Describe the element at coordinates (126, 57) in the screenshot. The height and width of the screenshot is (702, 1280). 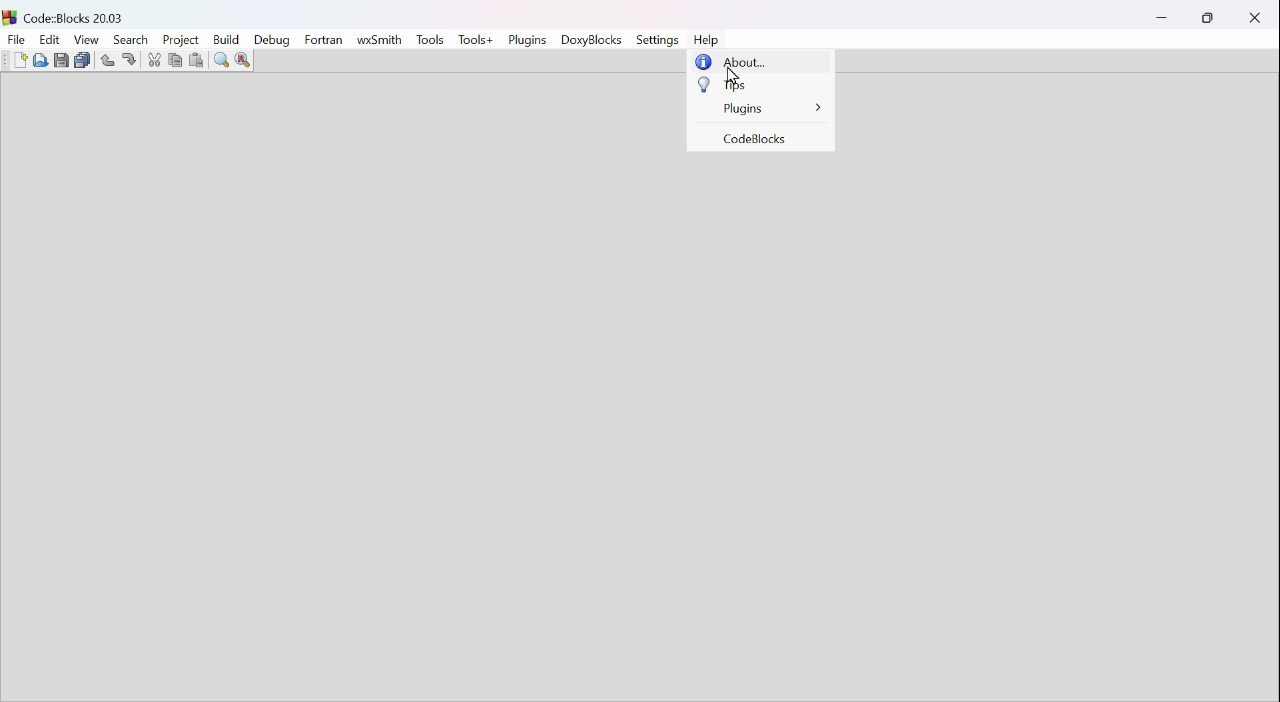
I see `Redo` at that location.